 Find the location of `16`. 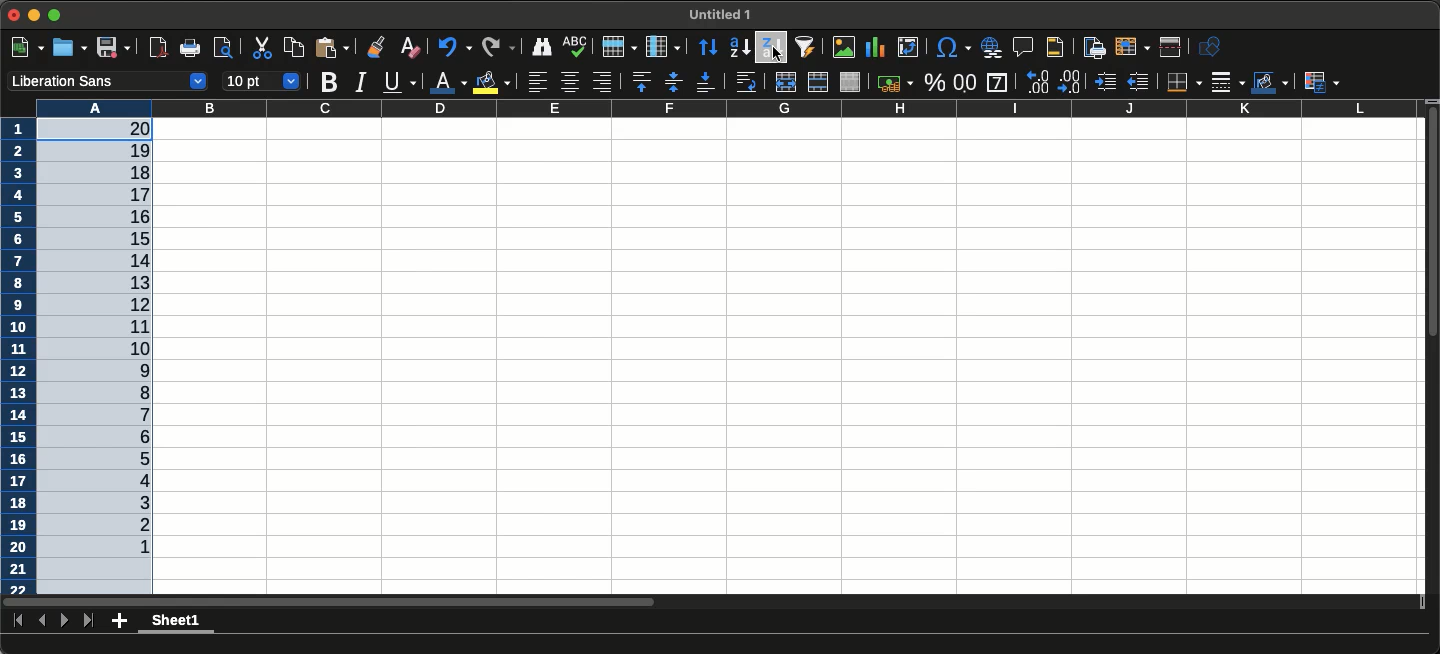

16 is located at coordinates (128, 458).